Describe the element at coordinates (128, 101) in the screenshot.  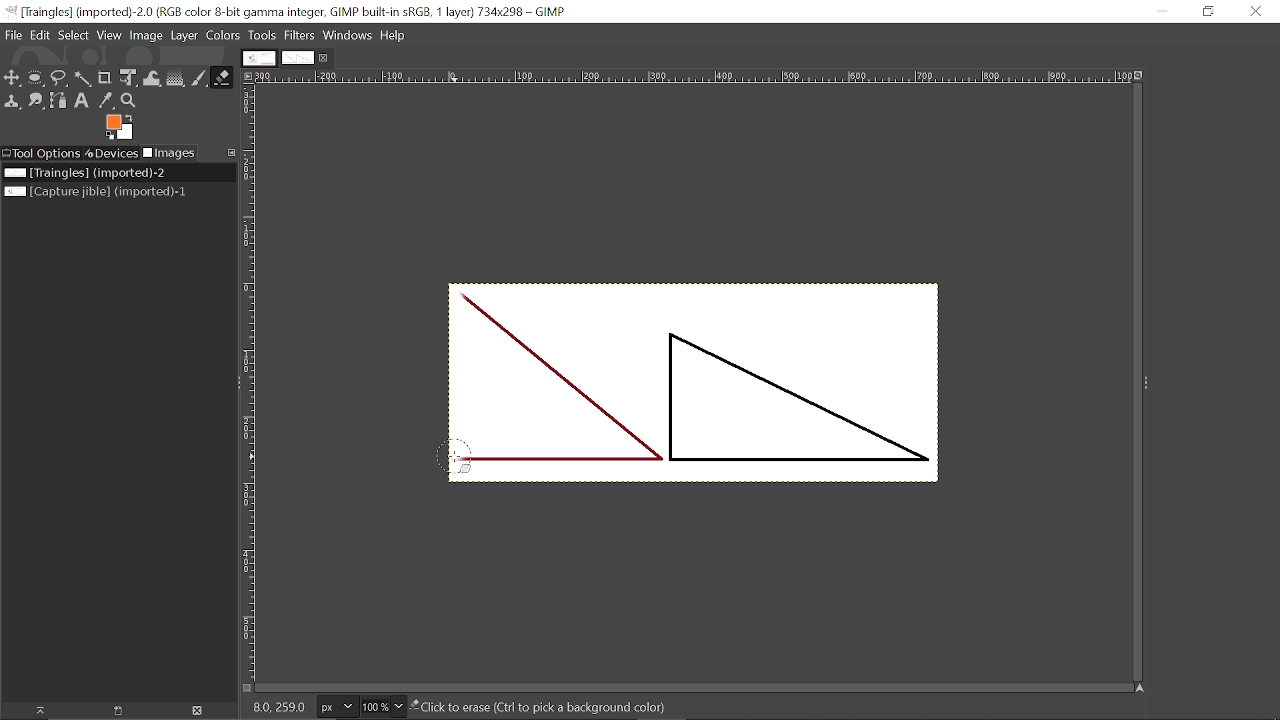
I see `Zoom tool` at that location.